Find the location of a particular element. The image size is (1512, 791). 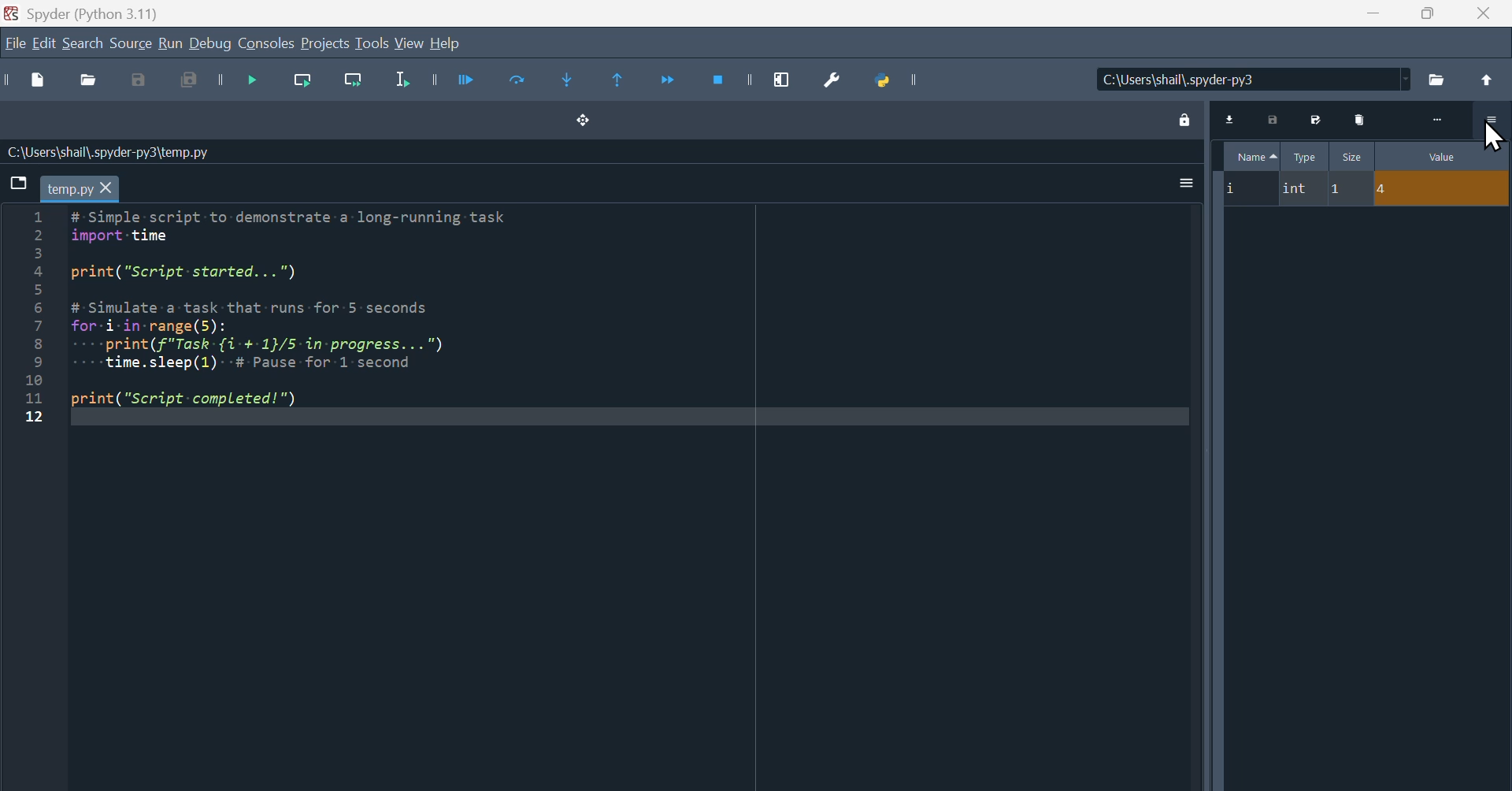

Maximize is located at coordinates (1429, 15).